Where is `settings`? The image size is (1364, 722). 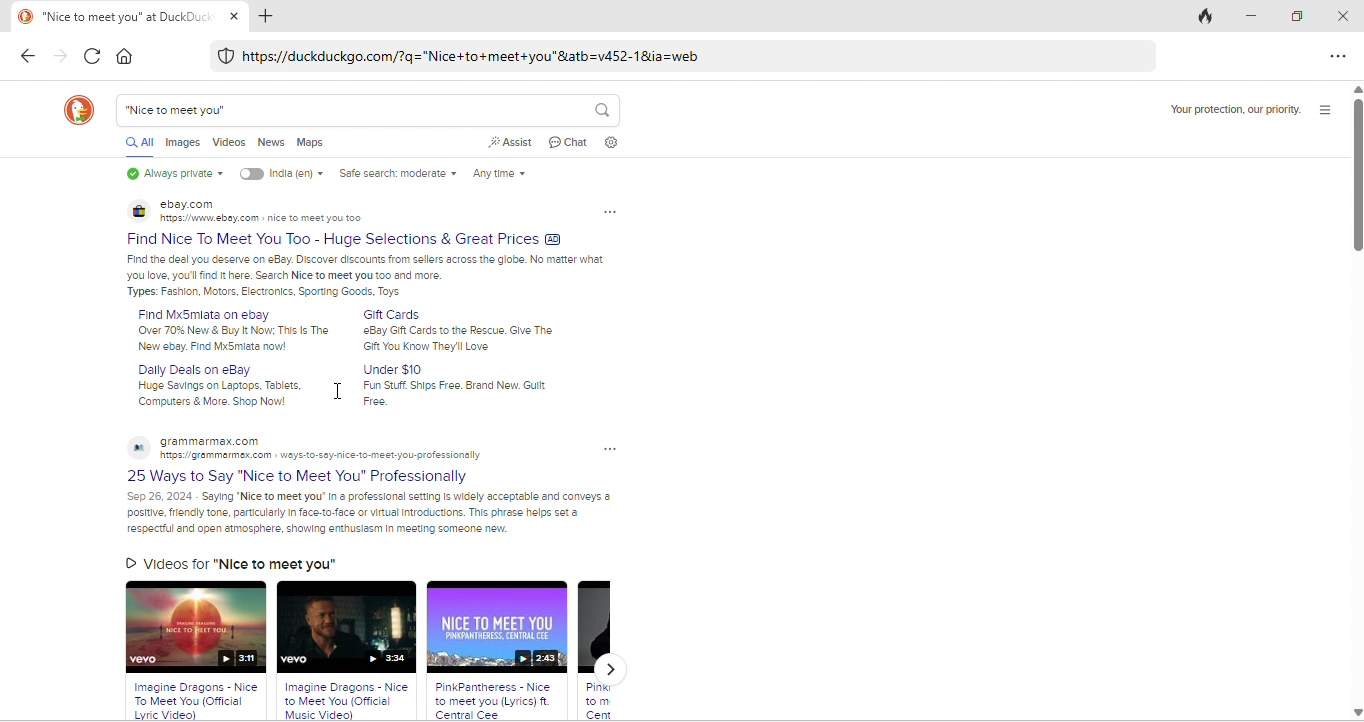 settings is located at coordinates (613, 142).